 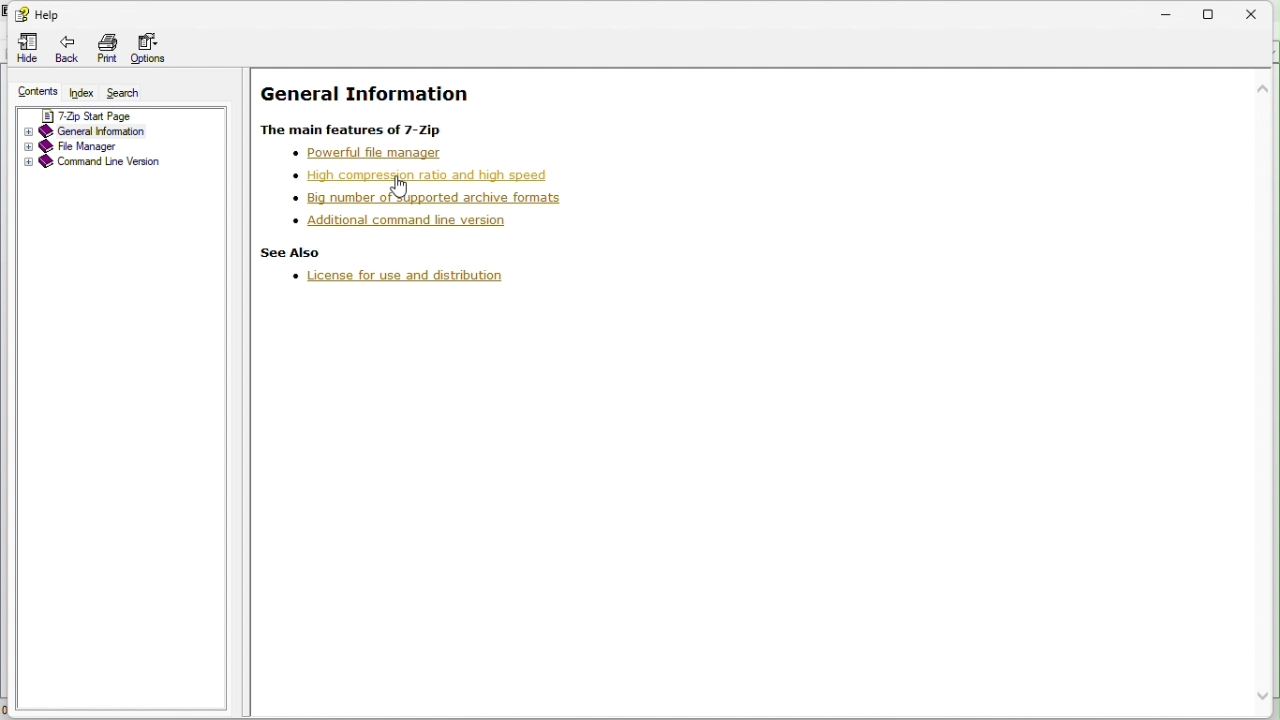 What do you see at coordinates (407, 278) in the screenshot?
I see `License for use and distribution` at bounding box center [407, 278].